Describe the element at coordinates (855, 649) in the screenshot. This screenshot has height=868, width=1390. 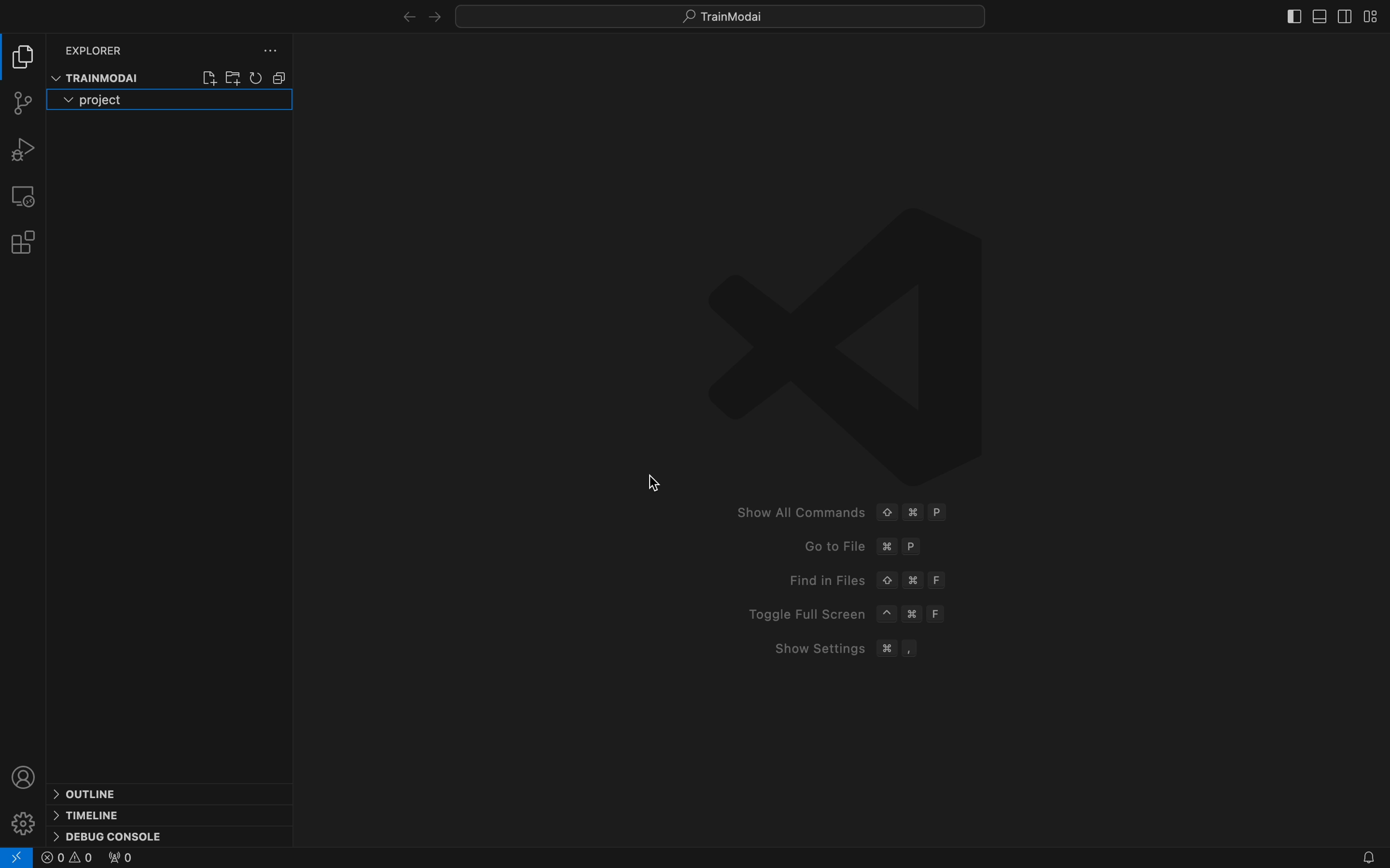
I see `Show settings` at that location.